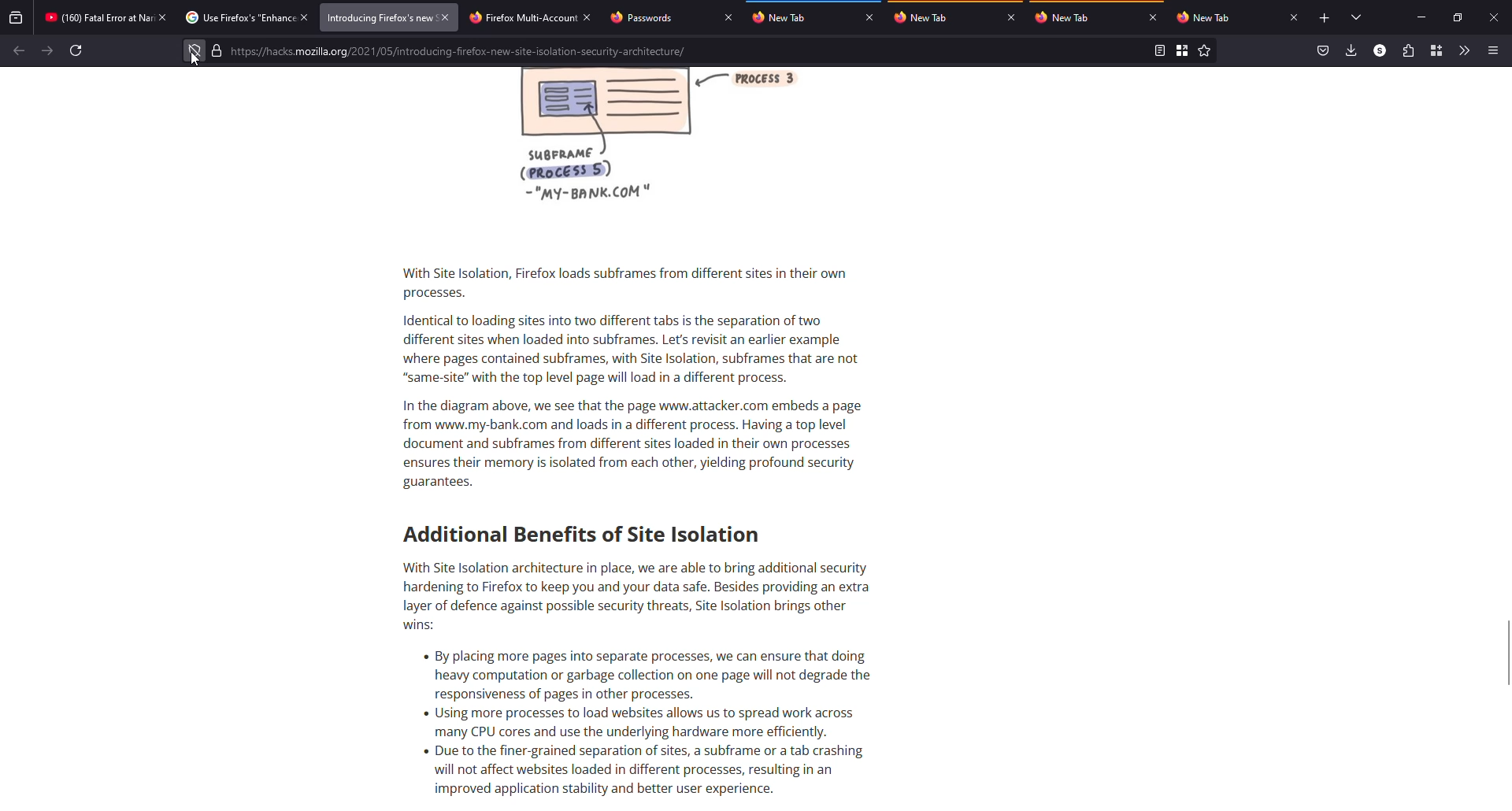  Describe the element at coordinates (217, 50) in the screenshot. I see `lock` at that location.